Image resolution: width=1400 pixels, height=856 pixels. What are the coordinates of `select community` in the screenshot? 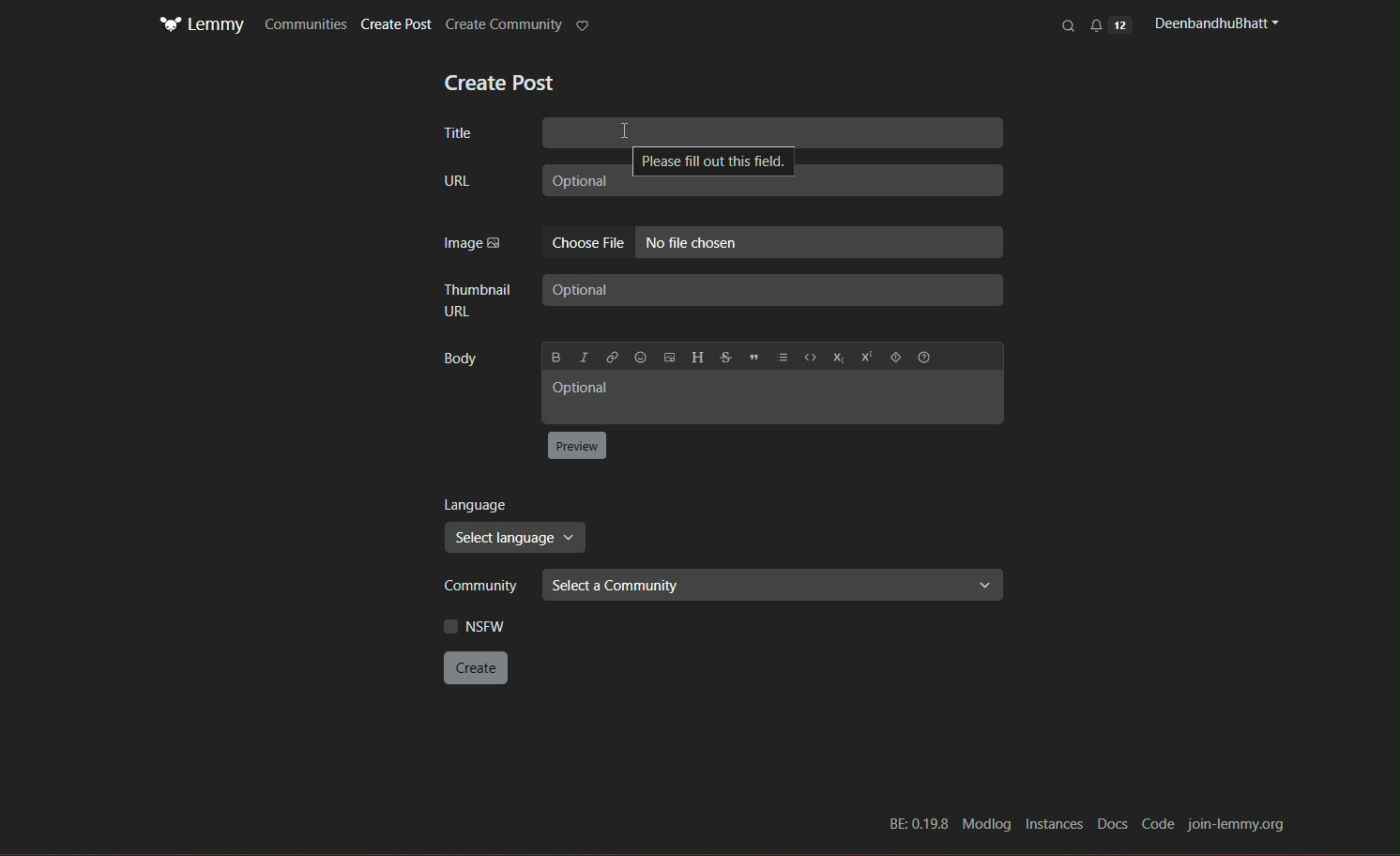 It's located at (773, 584).